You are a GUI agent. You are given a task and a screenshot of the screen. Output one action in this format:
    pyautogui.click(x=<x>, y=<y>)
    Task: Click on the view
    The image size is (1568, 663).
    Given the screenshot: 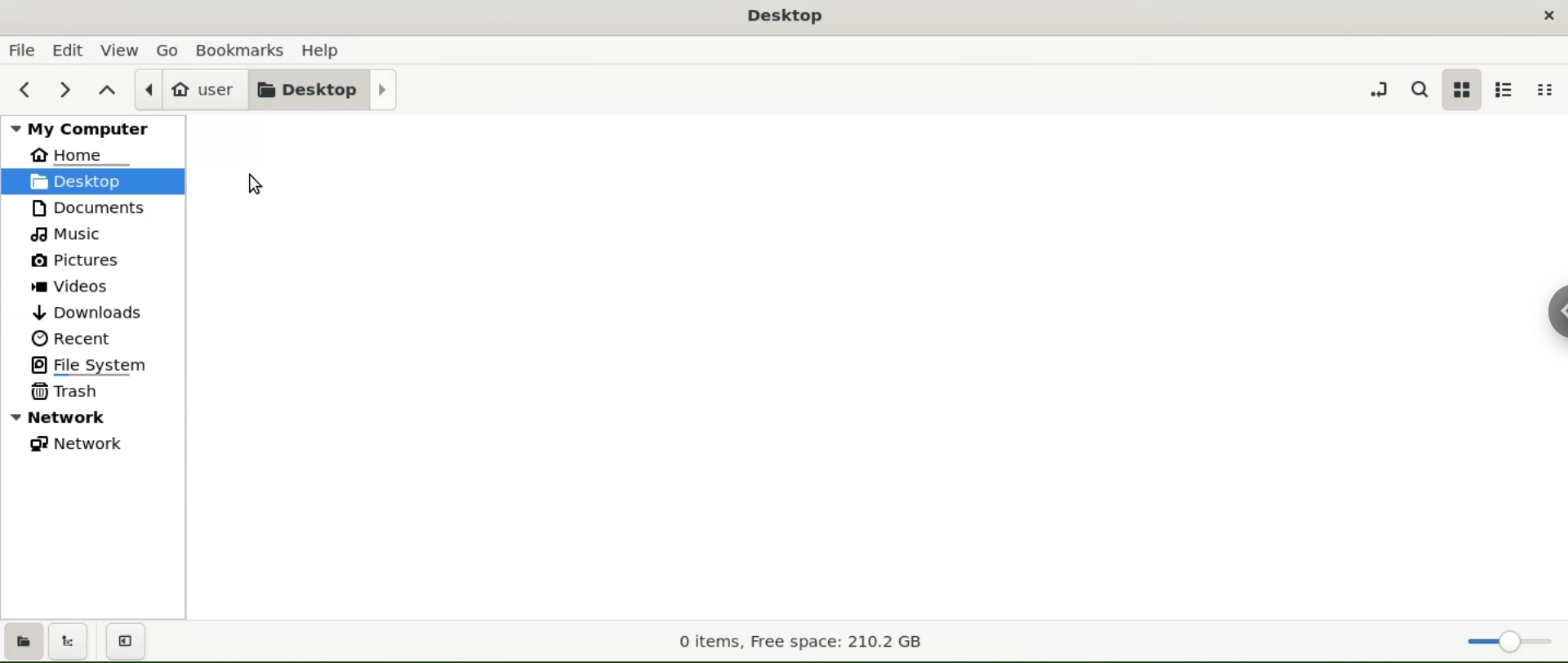 What is the action you would take?
    pyautogui.click(x=120, y=49)
    